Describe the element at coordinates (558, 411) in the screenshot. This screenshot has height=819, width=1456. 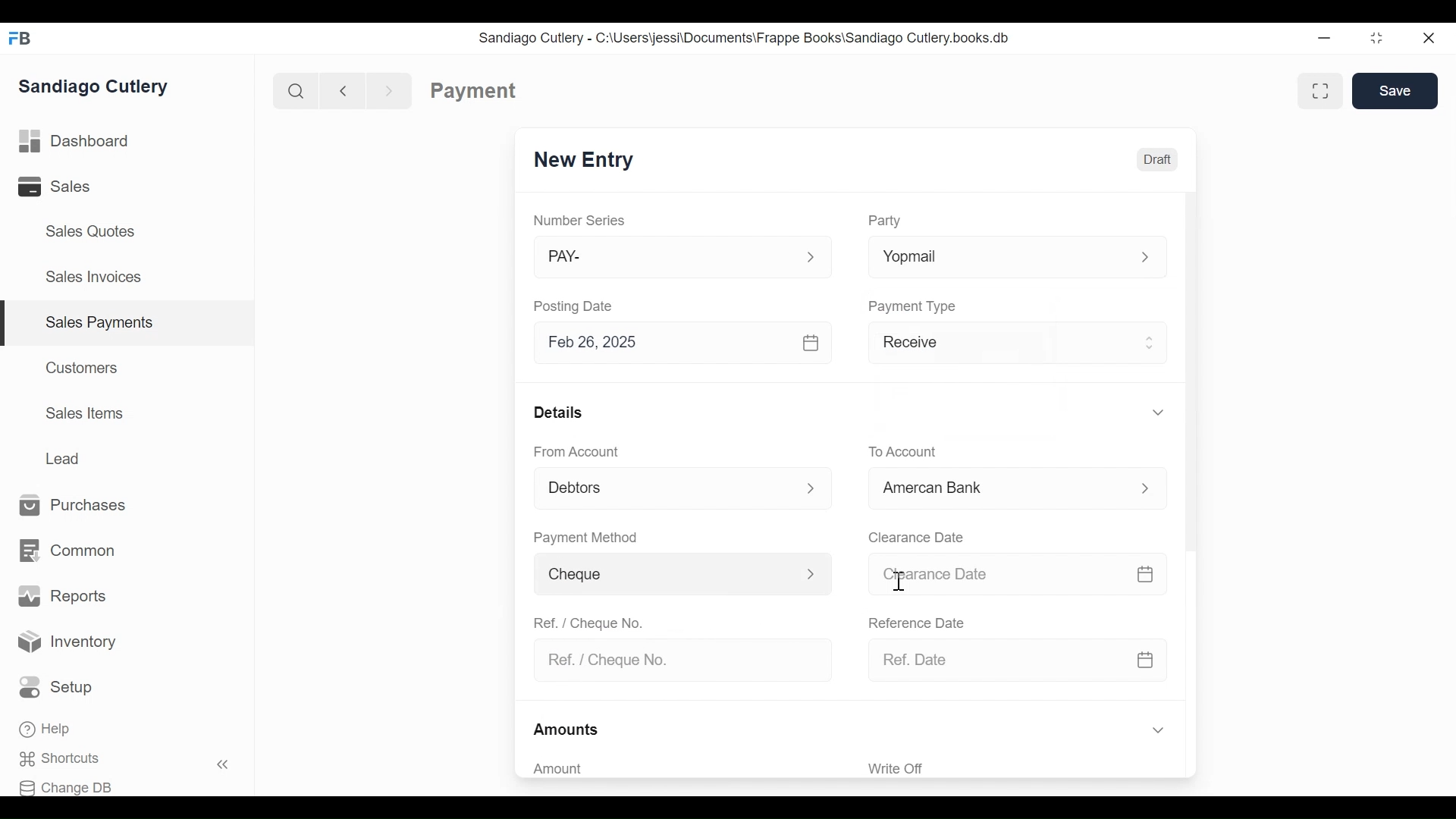
I see `Details` at that location.